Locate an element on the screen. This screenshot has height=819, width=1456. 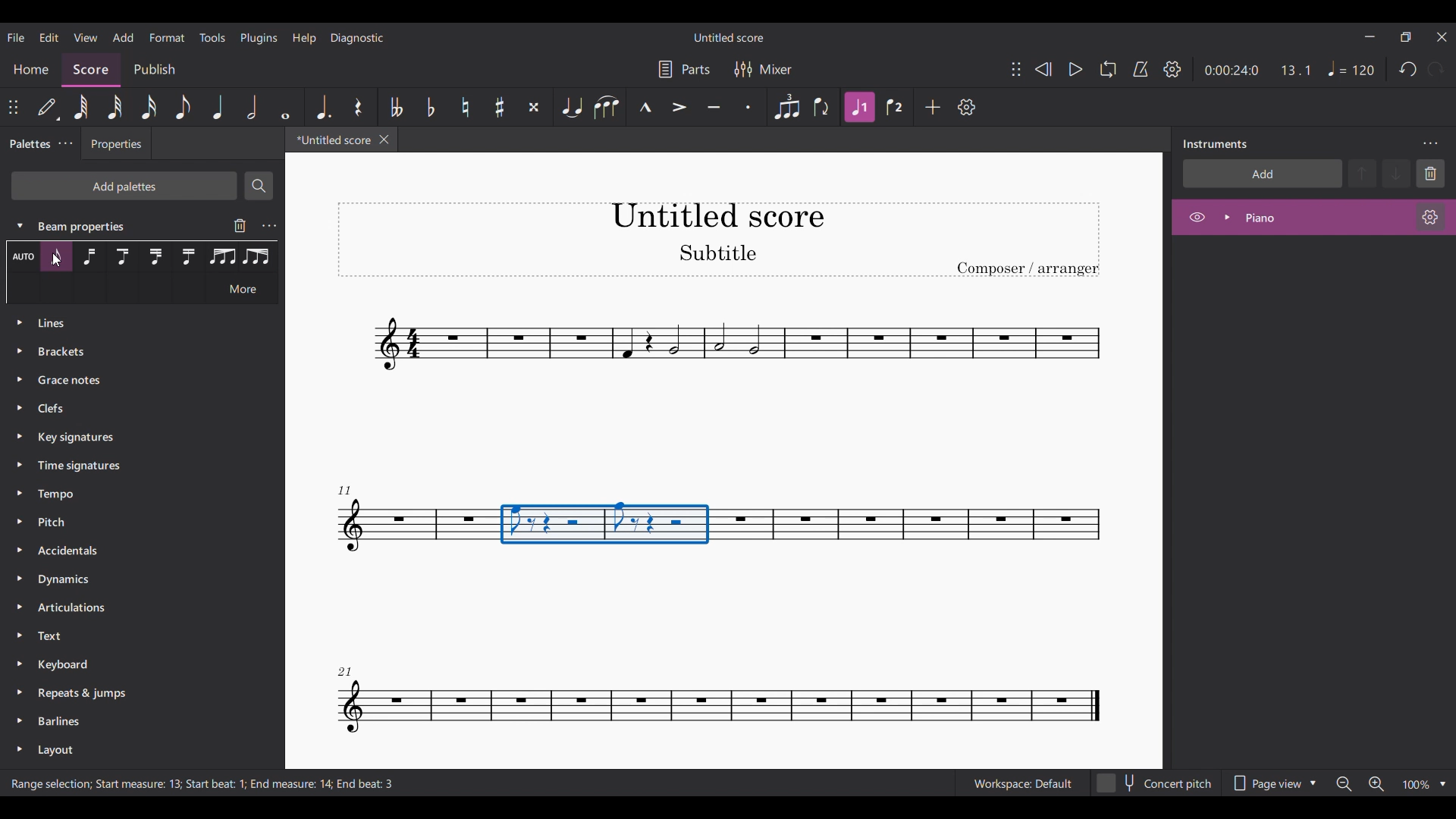
Tenuto is located at coordinates (714, 107).